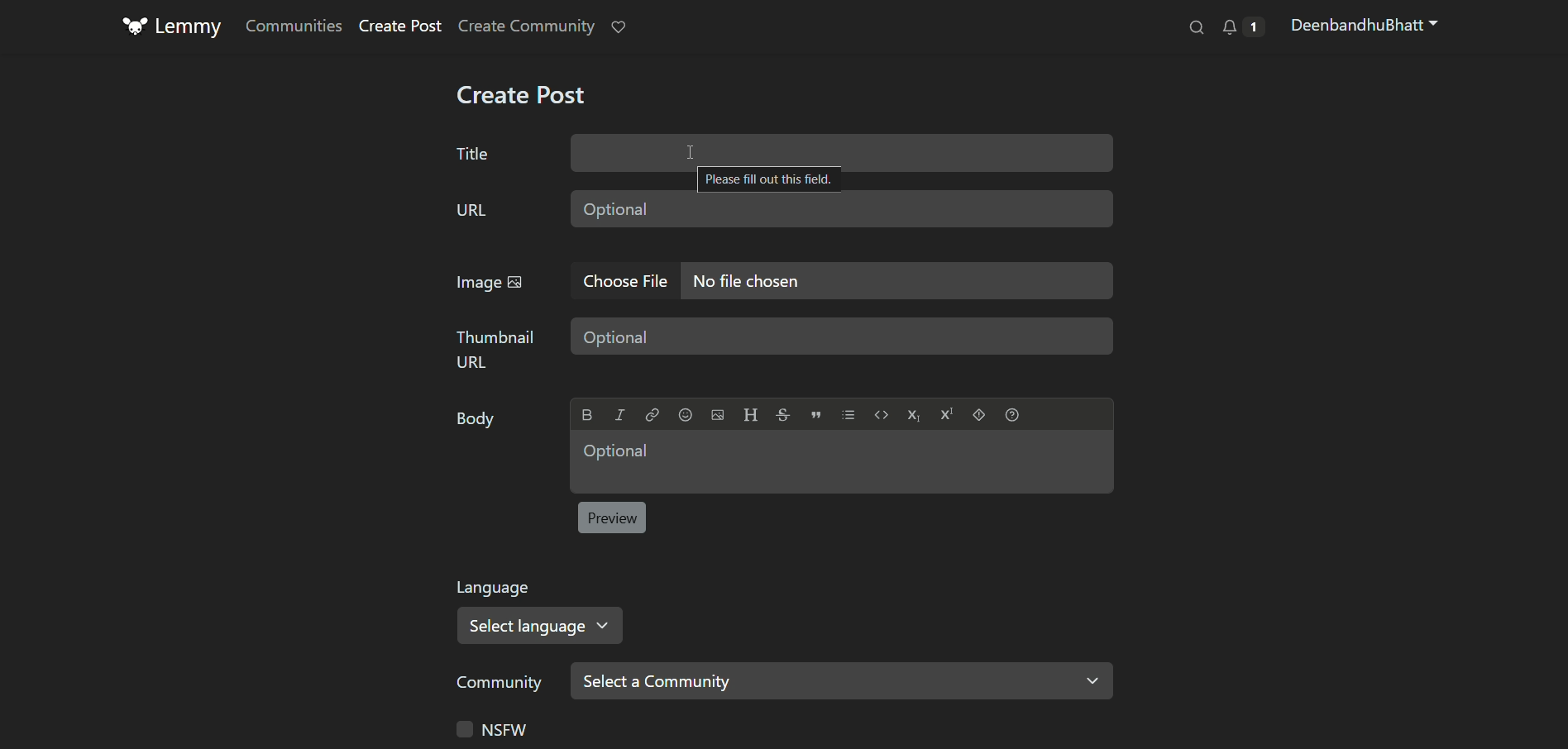 Image resolution: width=1568 pixels, height=749 pixels. What do you see at coordinates (946, 414) in the screenshot?
I see `Superscript` at bounding box center [946, 414].